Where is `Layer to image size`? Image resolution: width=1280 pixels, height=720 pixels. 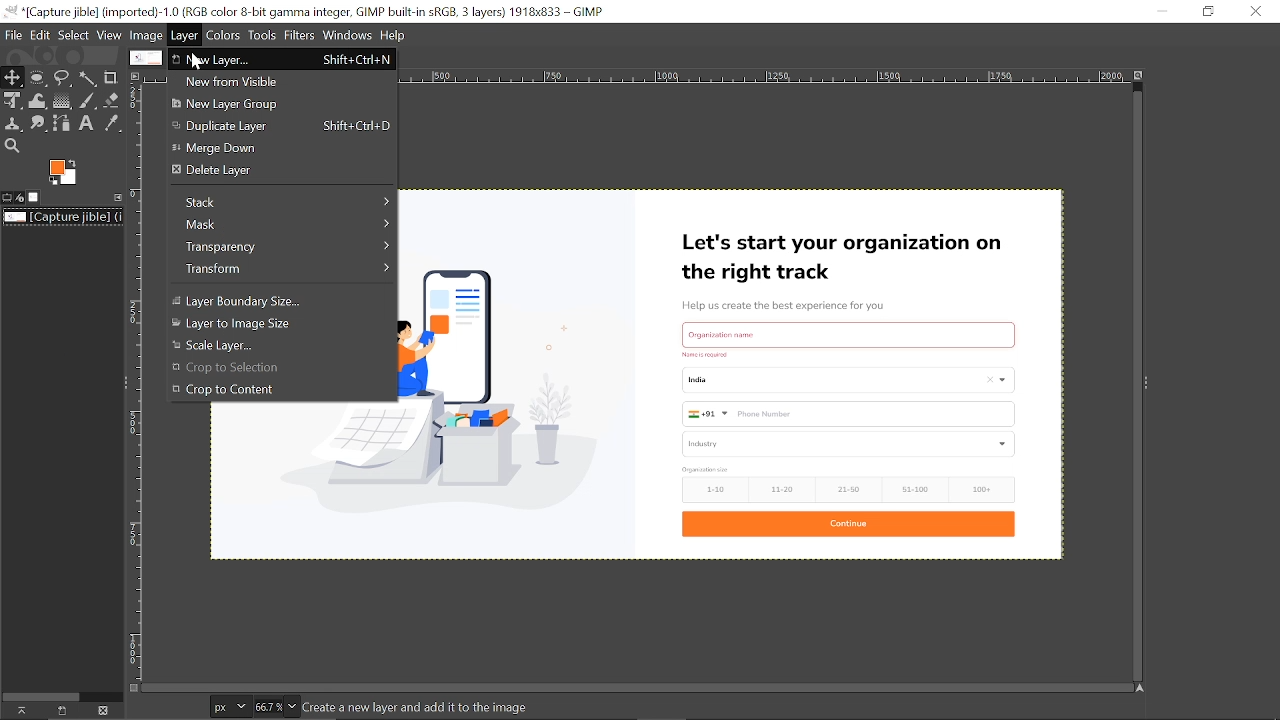 Layer to image size is located at coordinates (275, 323).